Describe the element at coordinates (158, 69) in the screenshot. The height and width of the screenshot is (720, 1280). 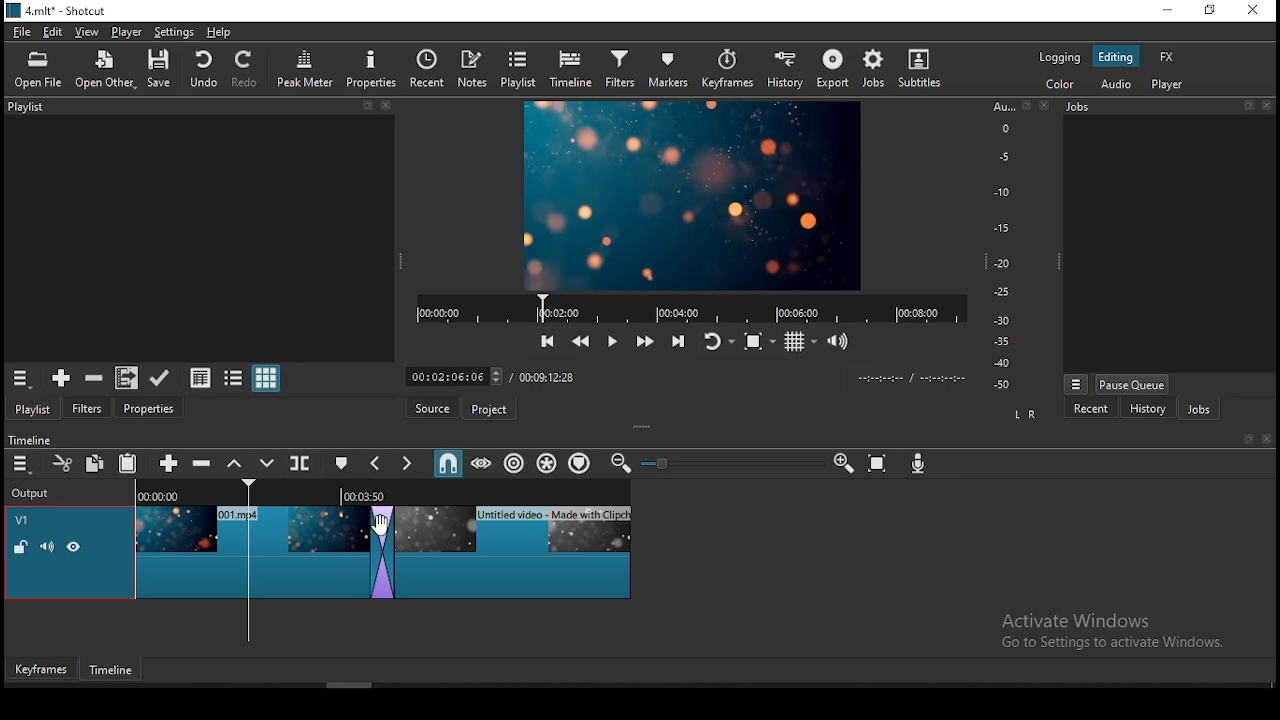
I see `save` at that location.